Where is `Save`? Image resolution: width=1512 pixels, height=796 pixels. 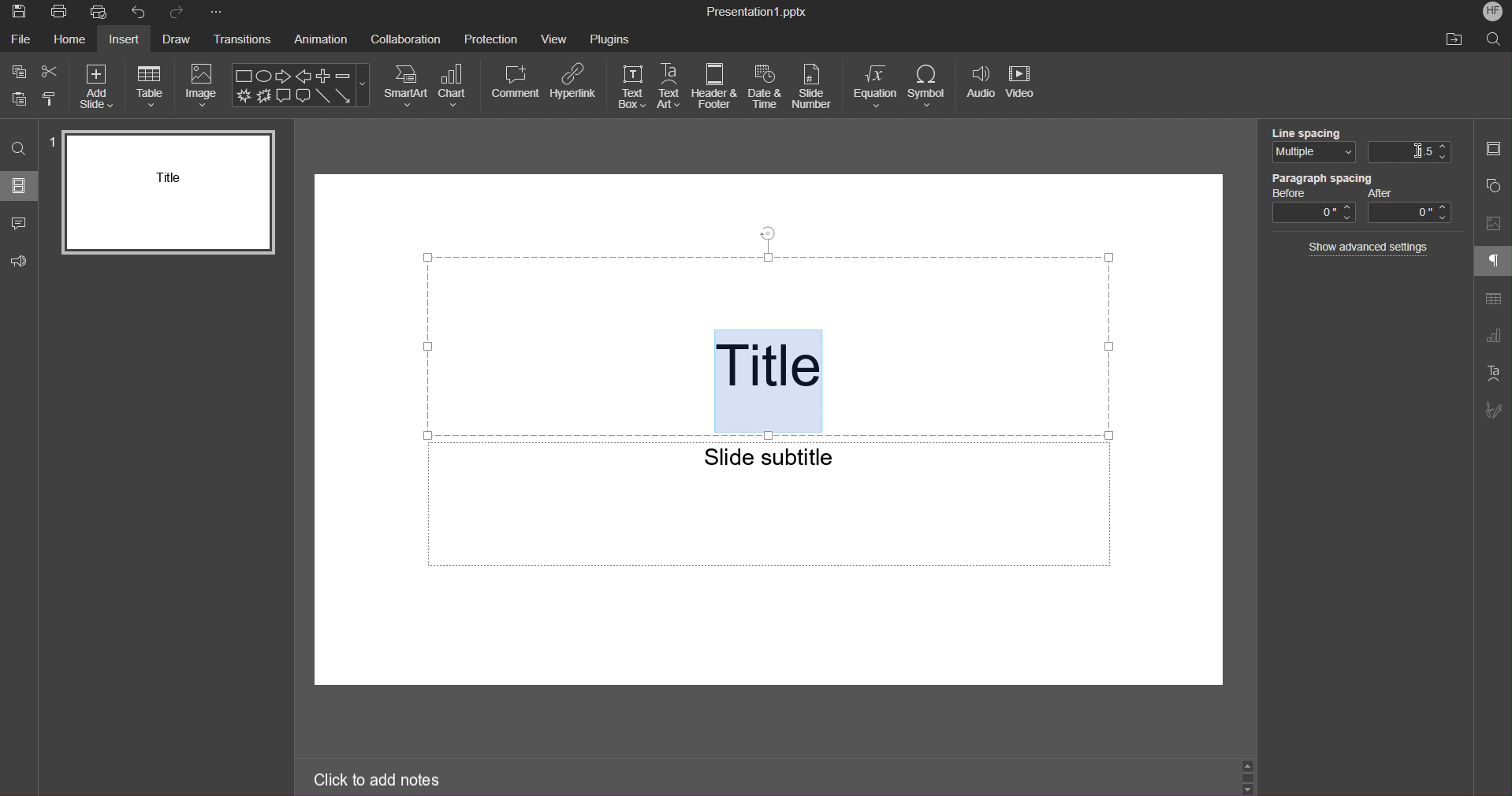 Save is located at coordinates (17, 13).